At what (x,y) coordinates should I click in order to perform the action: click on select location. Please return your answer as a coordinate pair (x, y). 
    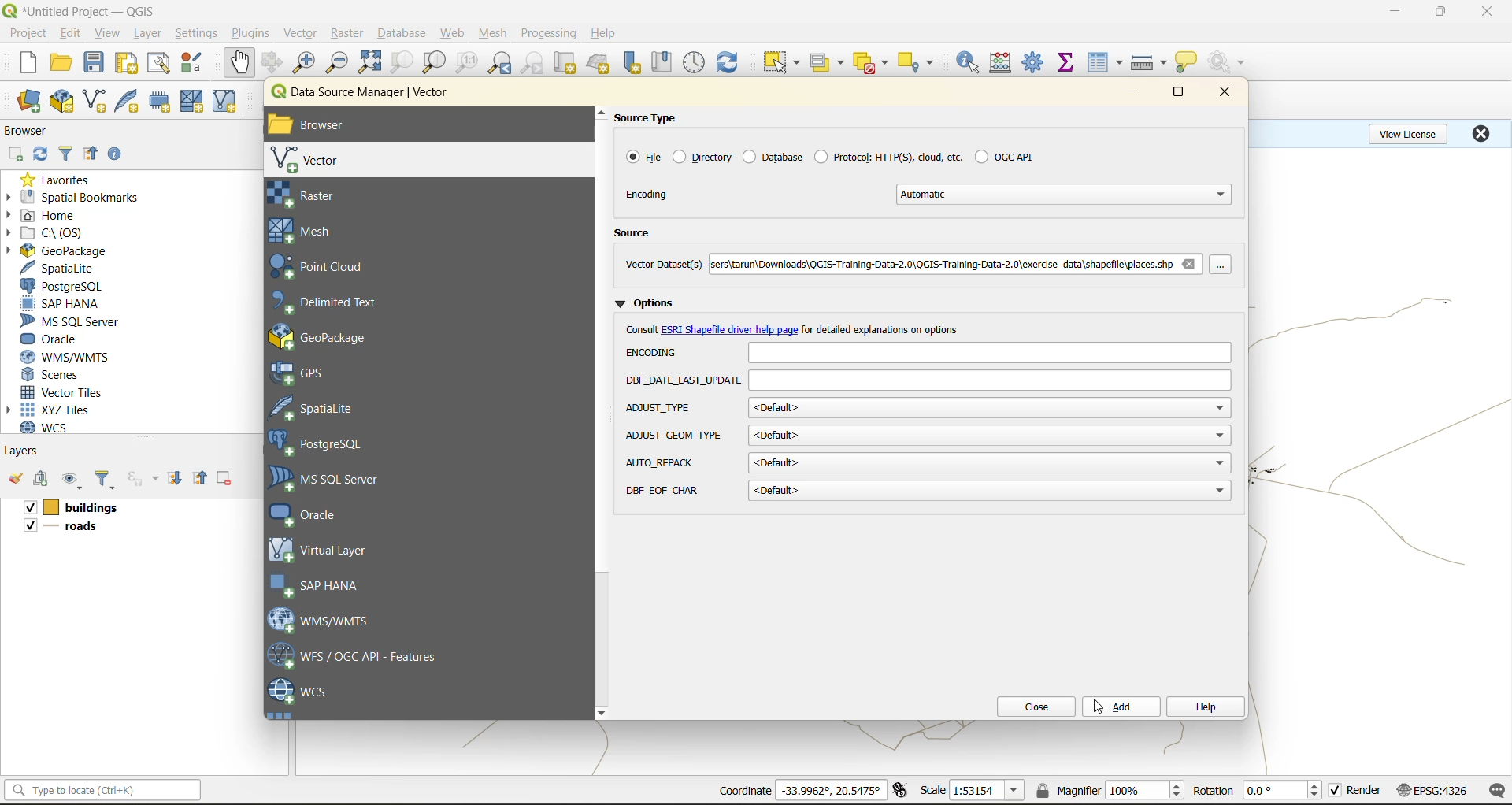
    Looking at the image, I should click on (921, 61).